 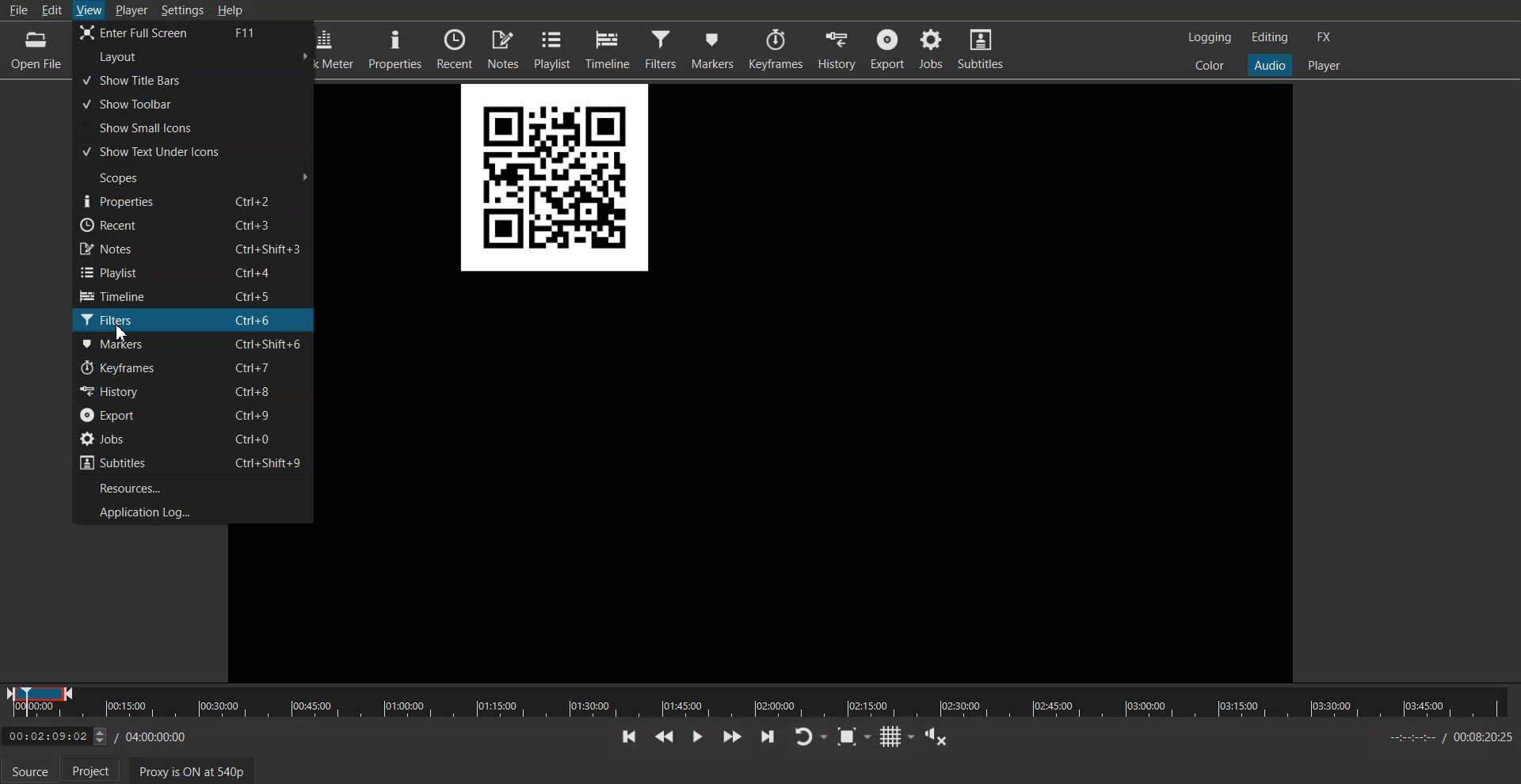 What do you see at coordinates (193, 440) in the screenshot?
I see `Jobs` at bounding box center [193, 440].